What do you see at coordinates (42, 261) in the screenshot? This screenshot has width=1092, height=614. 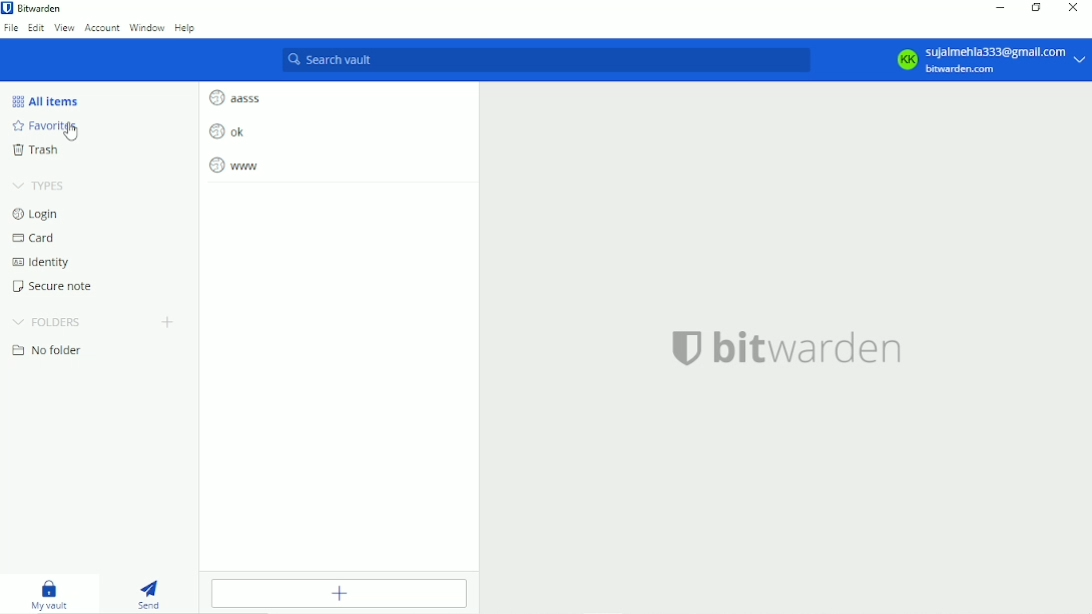 I see `Identity` at bounding box center [42, 261].